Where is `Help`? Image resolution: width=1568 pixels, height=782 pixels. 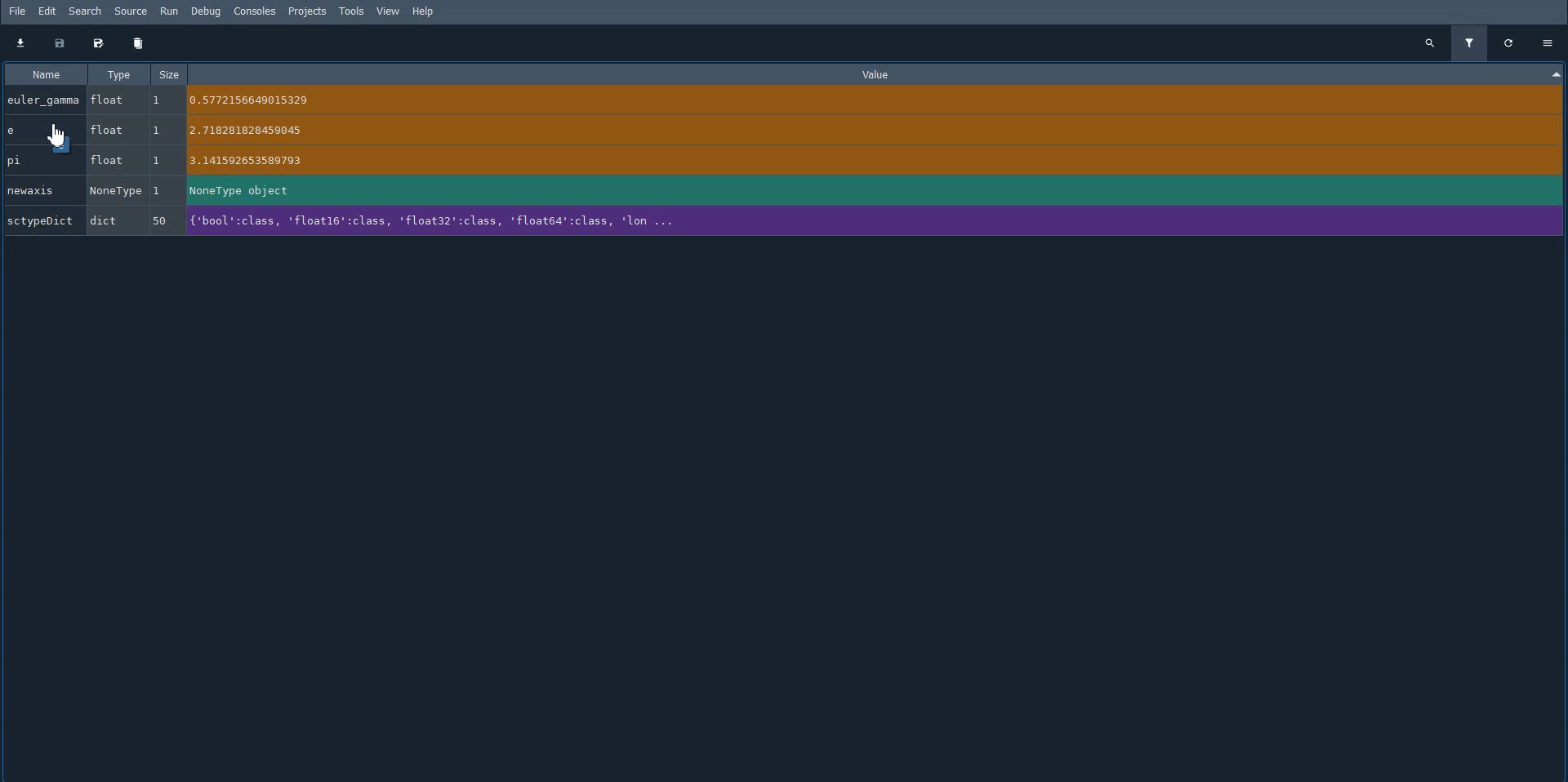
Help is located at coordinates (423, 12).